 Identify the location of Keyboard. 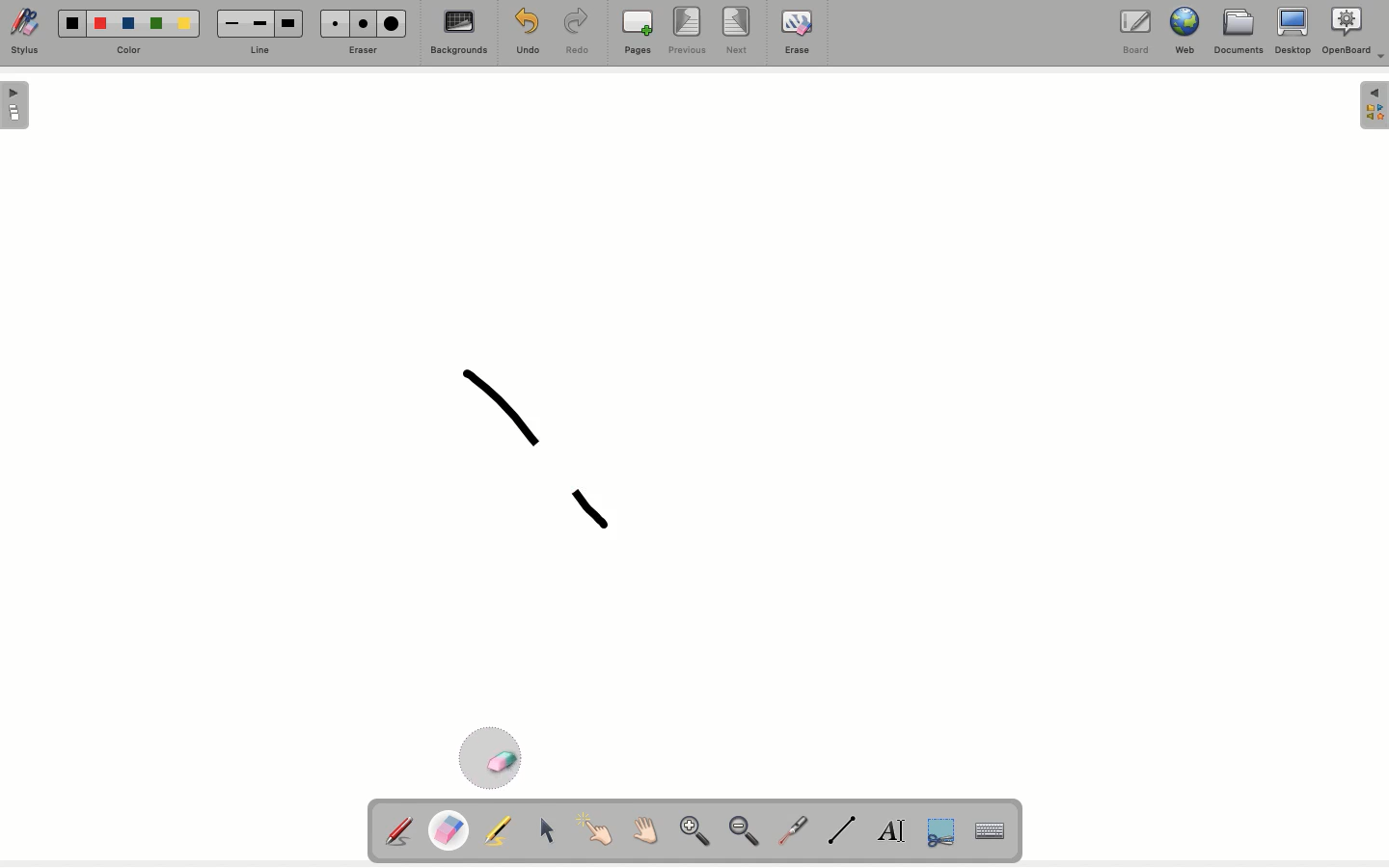
(991, 830).